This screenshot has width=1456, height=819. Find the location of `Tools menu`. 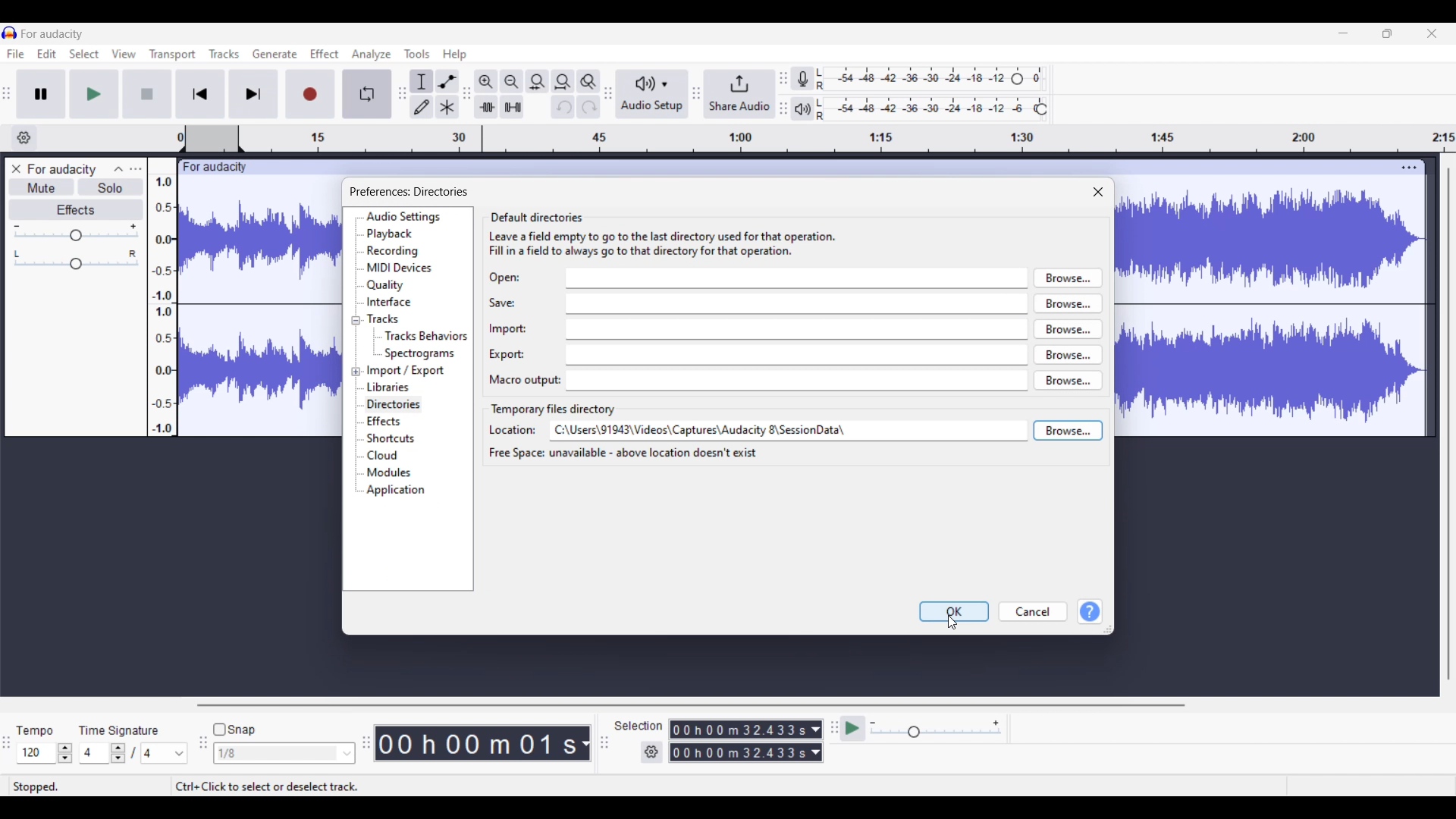

Tools menu is located at coordinates (417, 54).